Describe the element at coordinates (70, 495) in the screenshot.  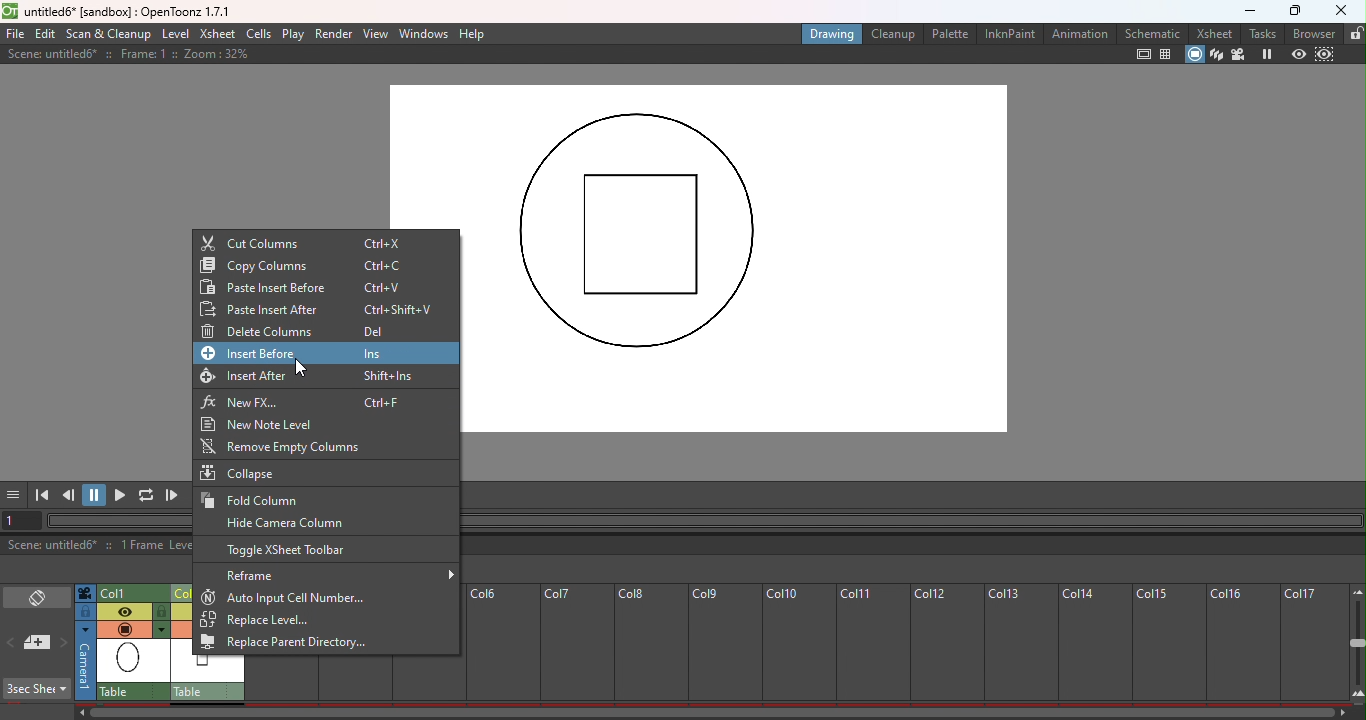
I see `Previous frame` at that location.